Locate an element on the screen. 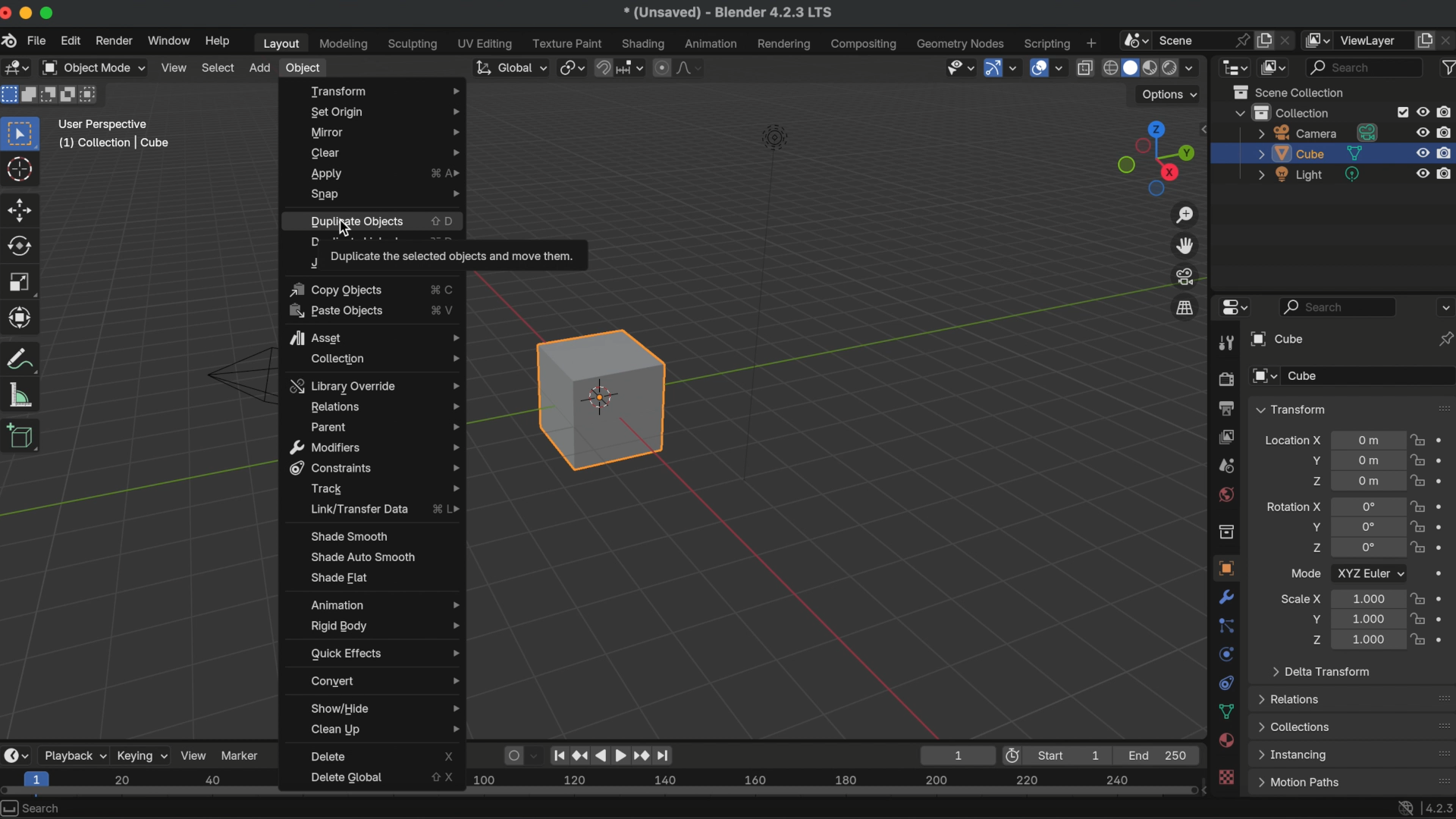 The height and width of the screenshot is (819, 1456). close is located at coordinates (9, 14).